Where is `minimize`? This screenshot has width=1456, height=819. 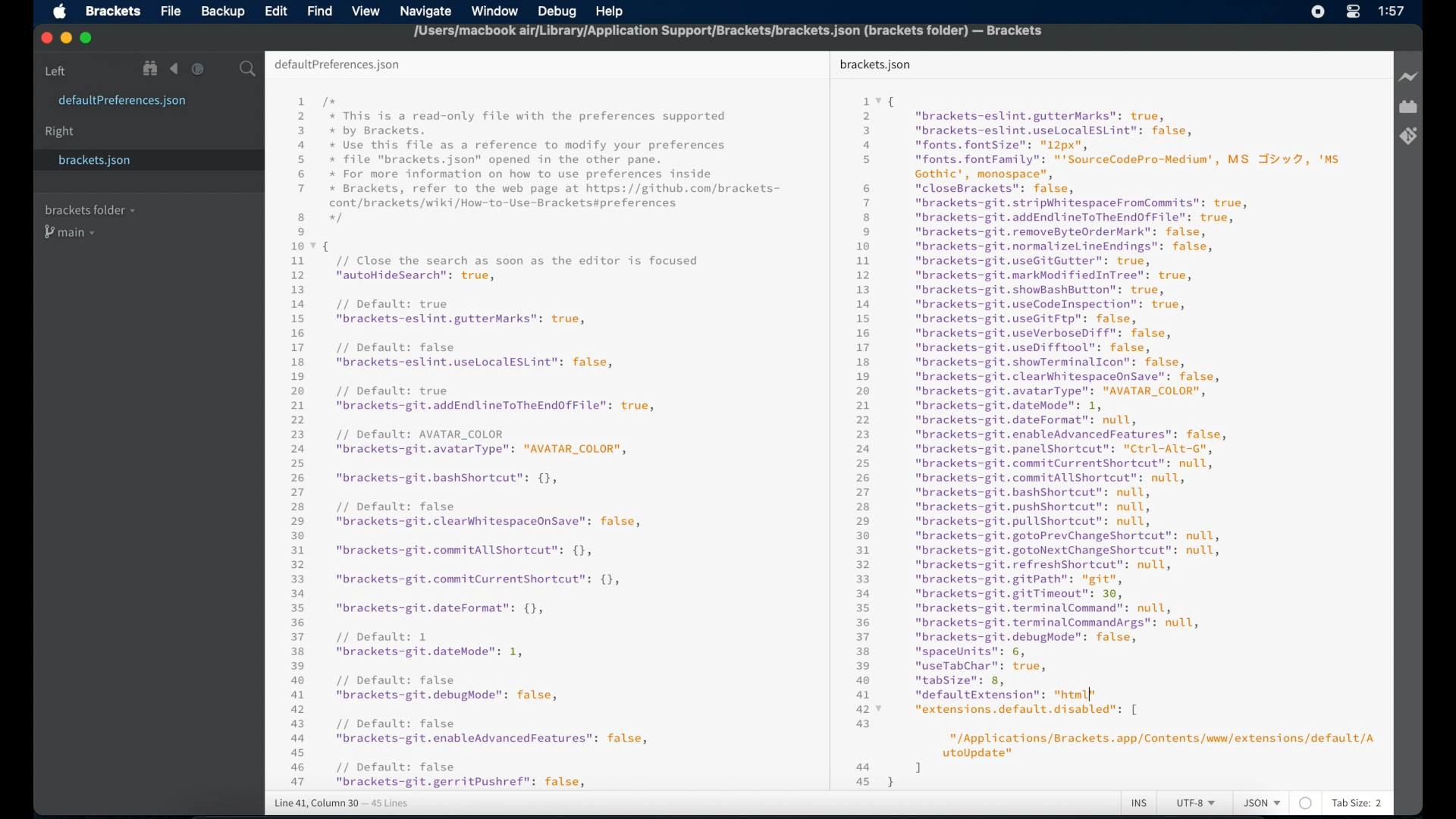 minimize is located at coordinates (66, 39).